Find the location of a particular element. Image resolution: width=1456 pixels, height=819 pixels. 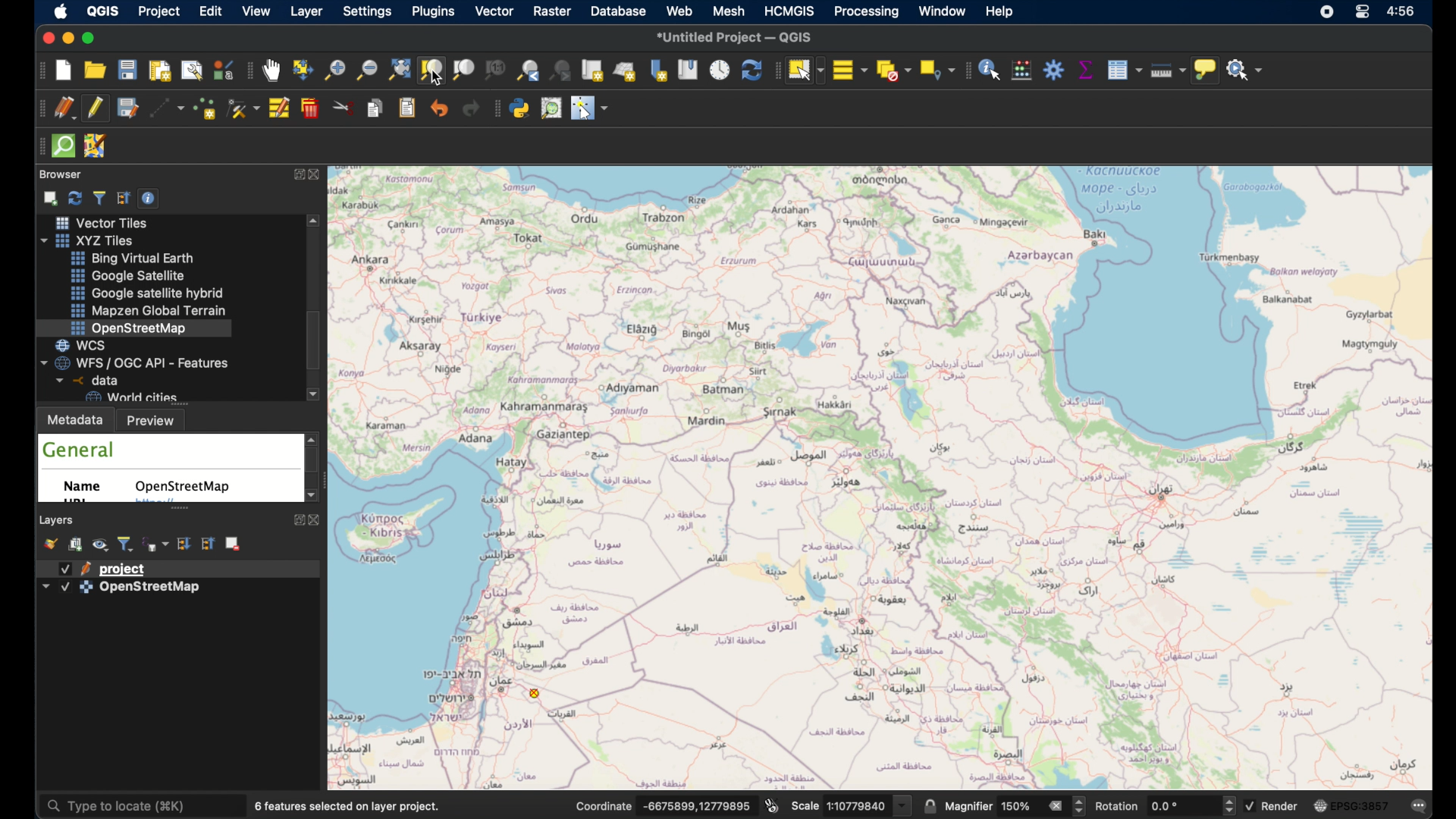

Coordinate is located at coordinates (604, 805).